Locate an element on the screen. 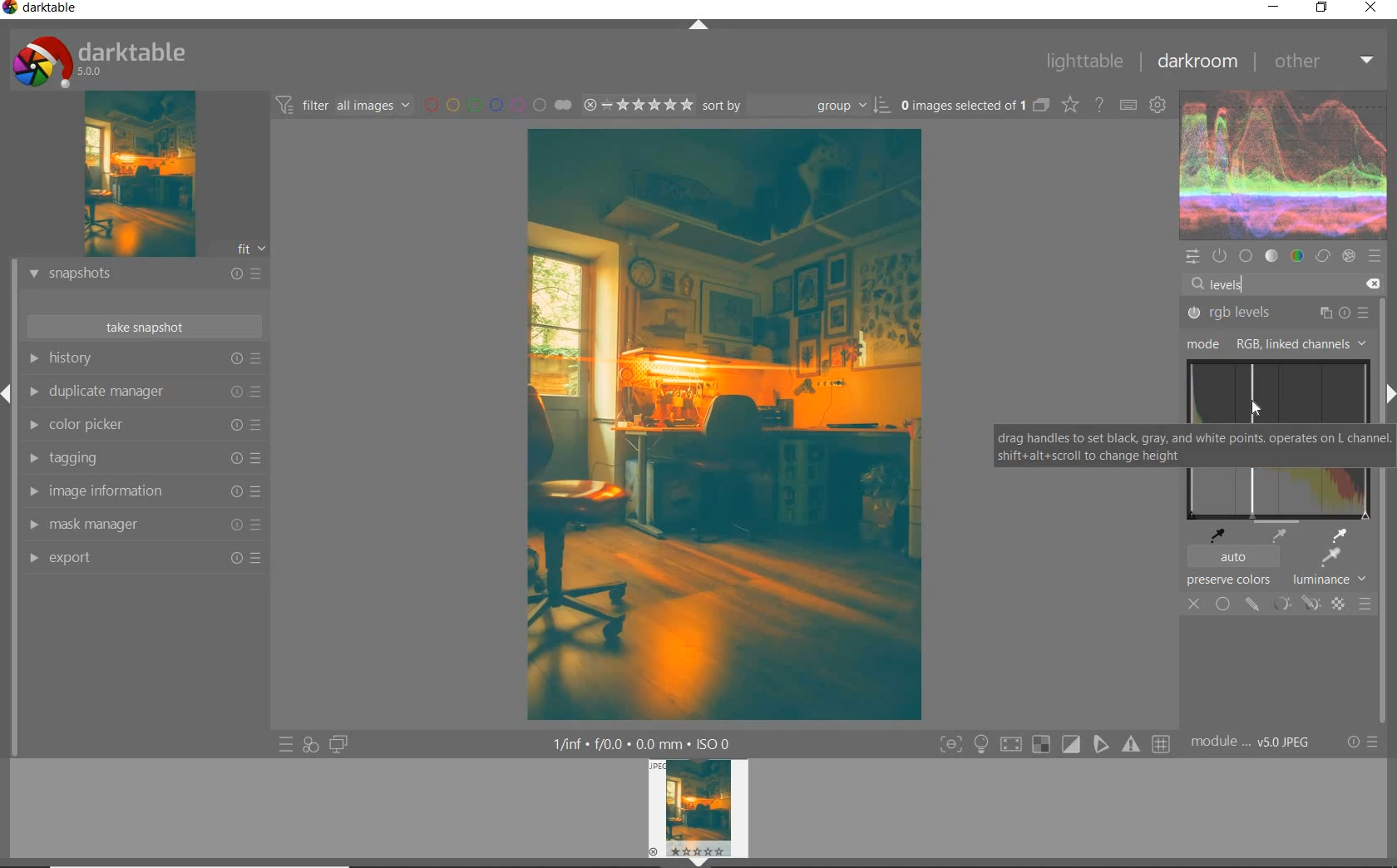  system logo is located at coordinates (96, 61).